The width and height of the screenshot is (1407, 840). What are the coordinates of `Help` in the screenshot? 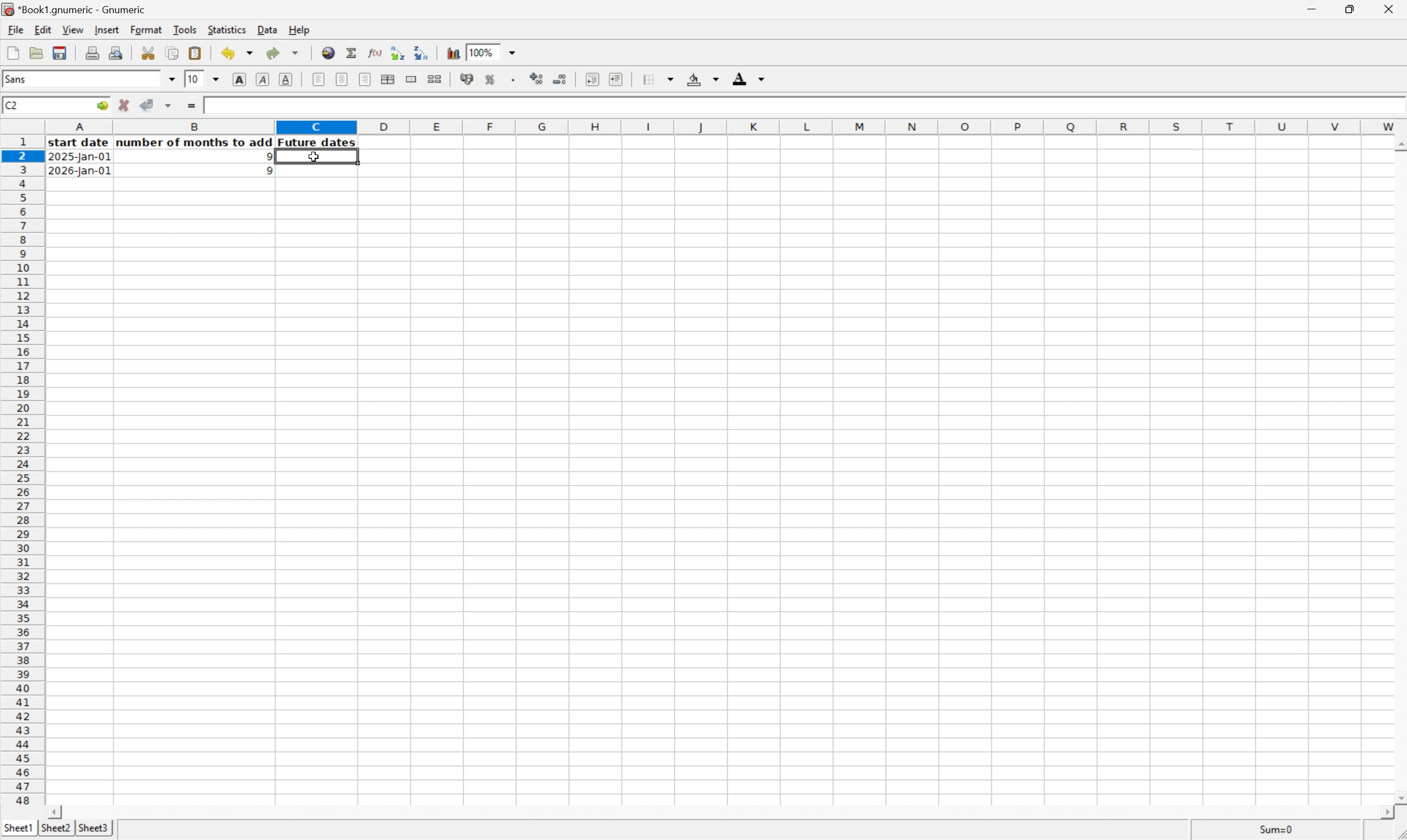 It's located at (299, 29).